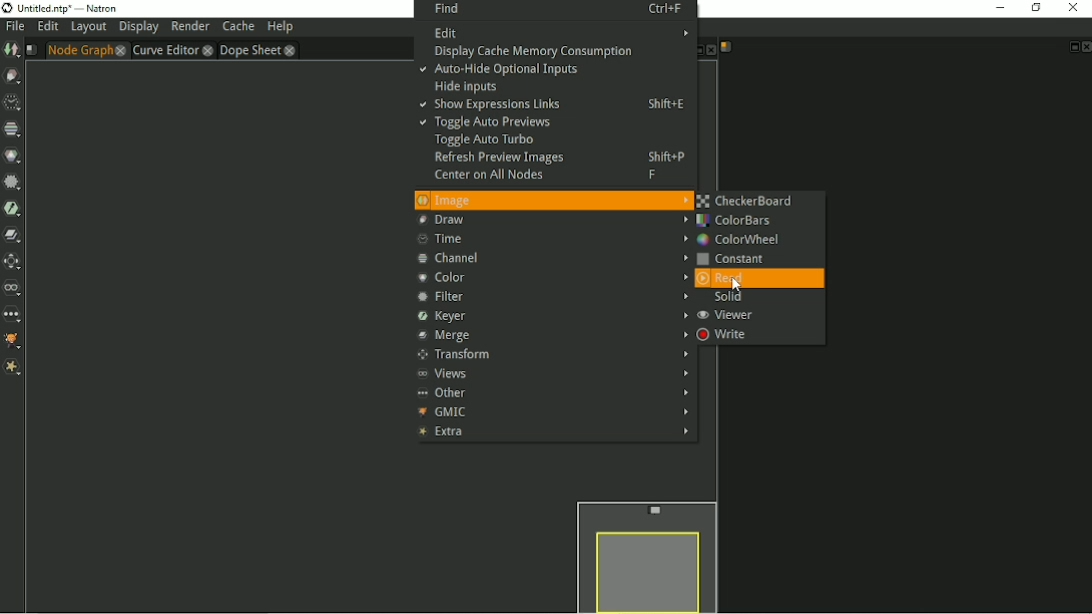 The width and height of the screenshot is (1092, 614). I want to click on Dope sheet, so click(258, 50).